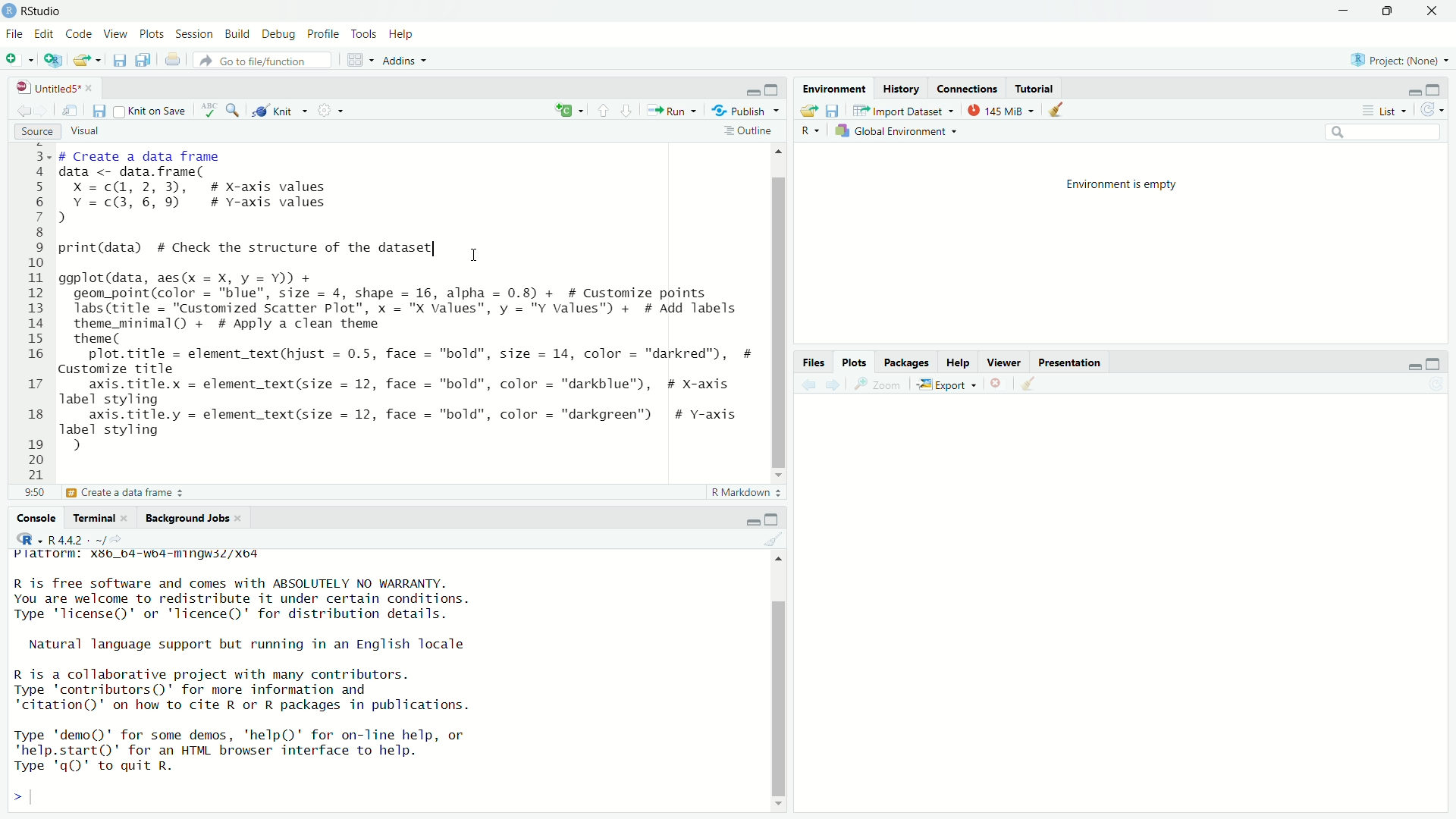  I want to click on Go to the next section/chunk, so click(626, 110).